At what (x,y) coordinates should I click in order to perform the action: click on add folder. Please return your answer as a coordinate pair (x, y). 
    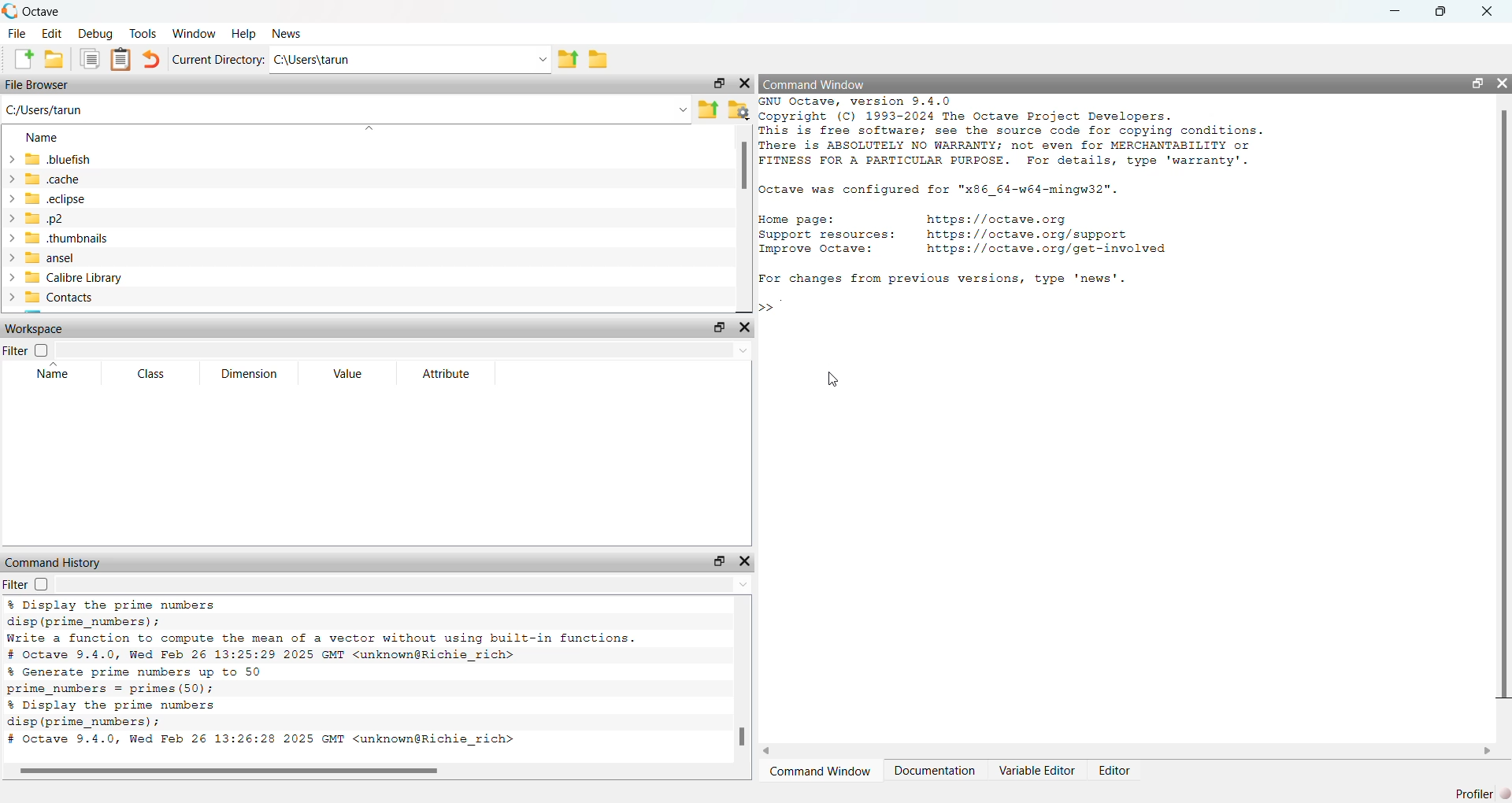
    Looking at the image, I should click on (54, 59).